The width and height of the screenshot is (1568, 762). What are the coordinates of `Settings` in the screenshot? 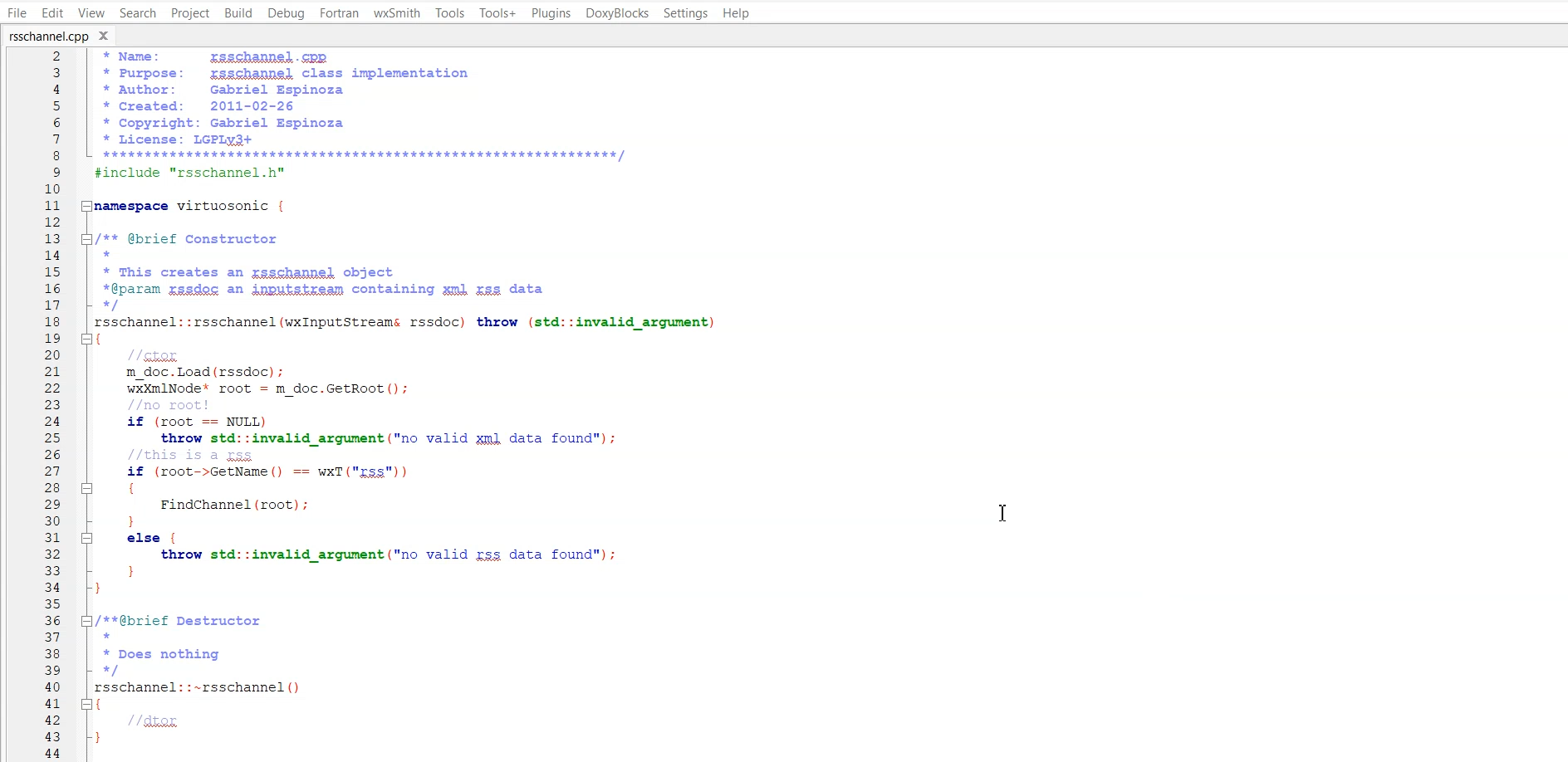 It's located at (687, 12).